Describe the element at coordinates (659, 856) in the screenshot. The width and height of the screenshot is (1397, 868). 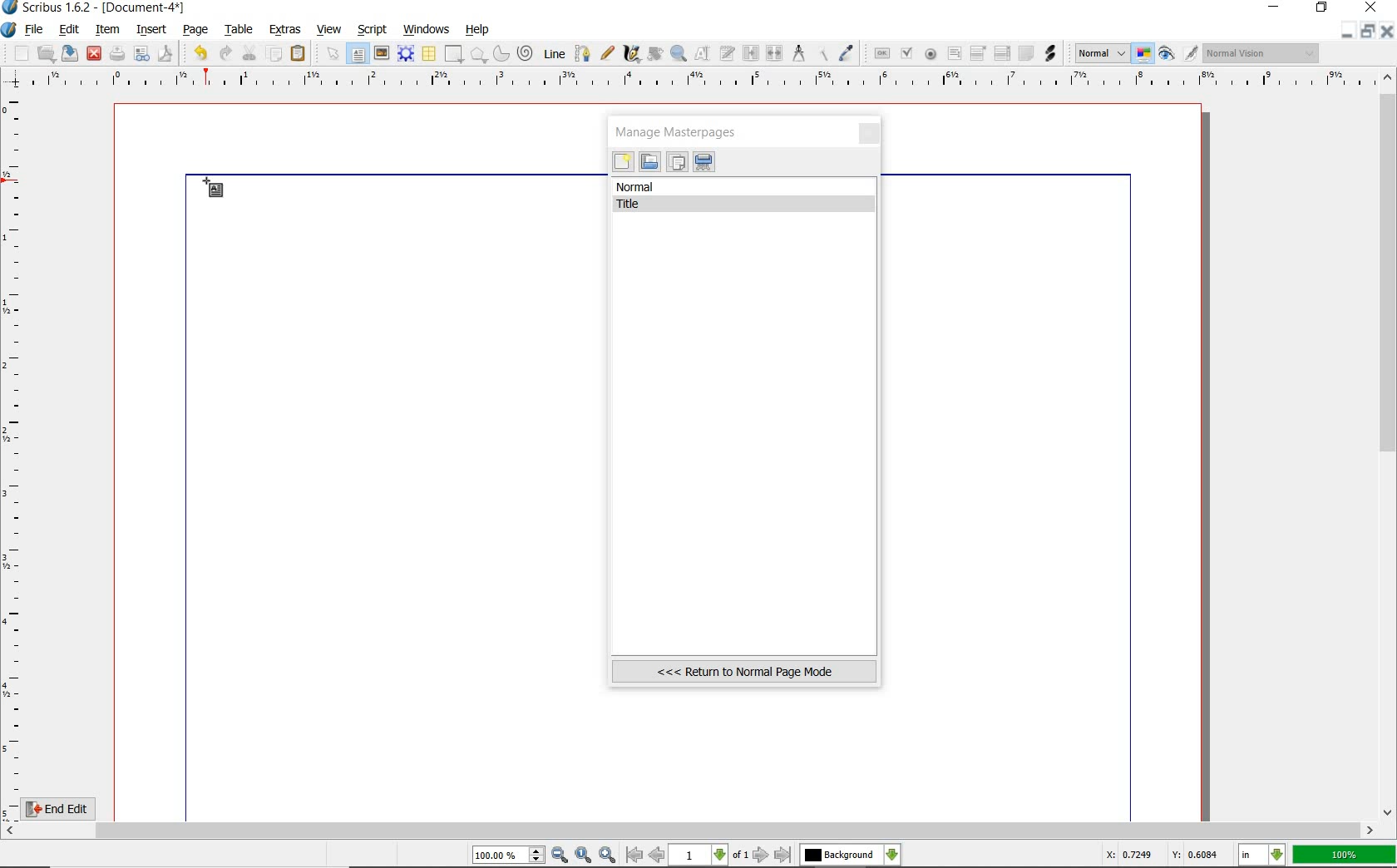
I see `go to previous page` at that location.